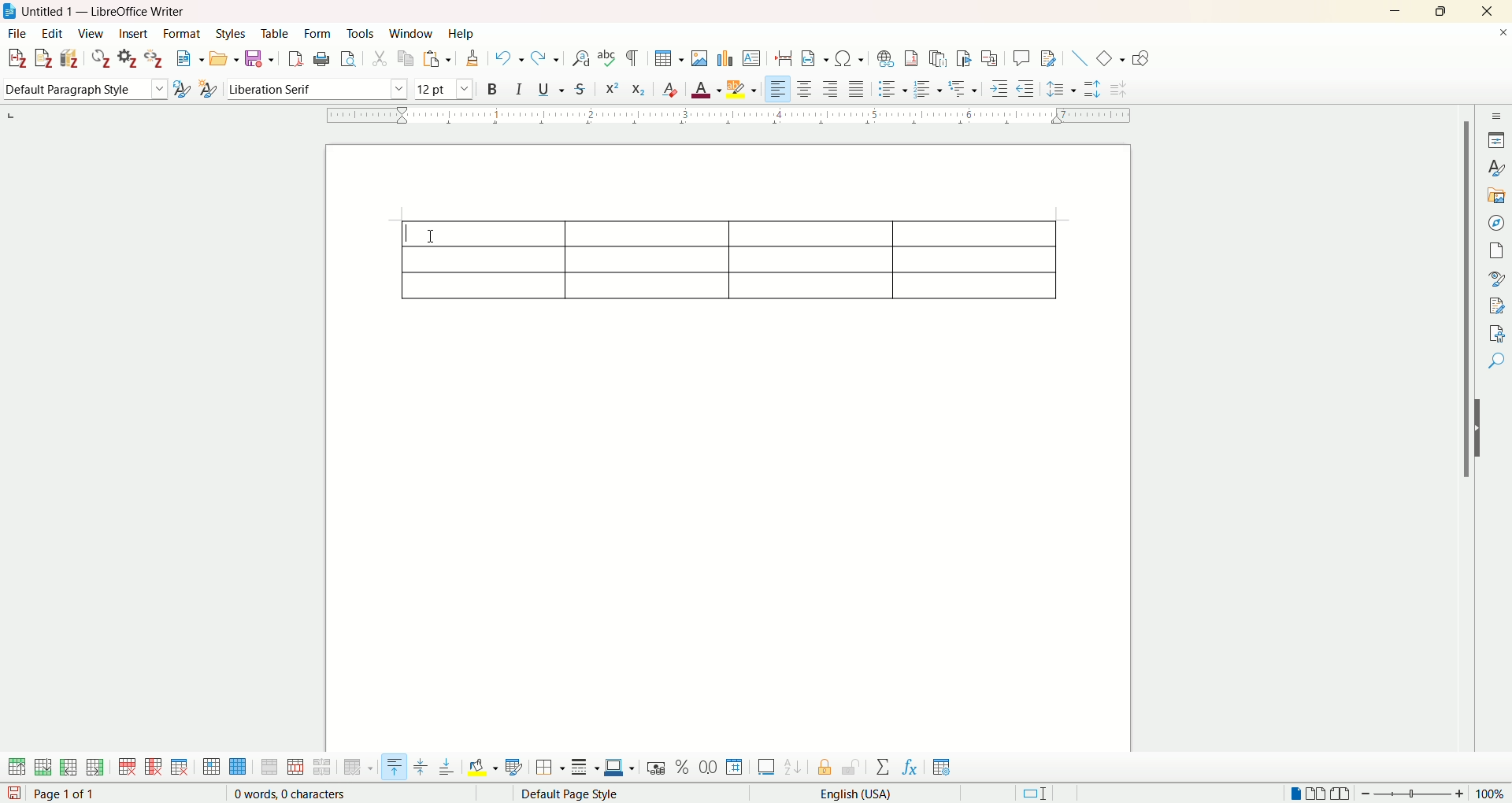 This screenshot has width=1512, height=803. I want to click on align left, so click(776, 88).